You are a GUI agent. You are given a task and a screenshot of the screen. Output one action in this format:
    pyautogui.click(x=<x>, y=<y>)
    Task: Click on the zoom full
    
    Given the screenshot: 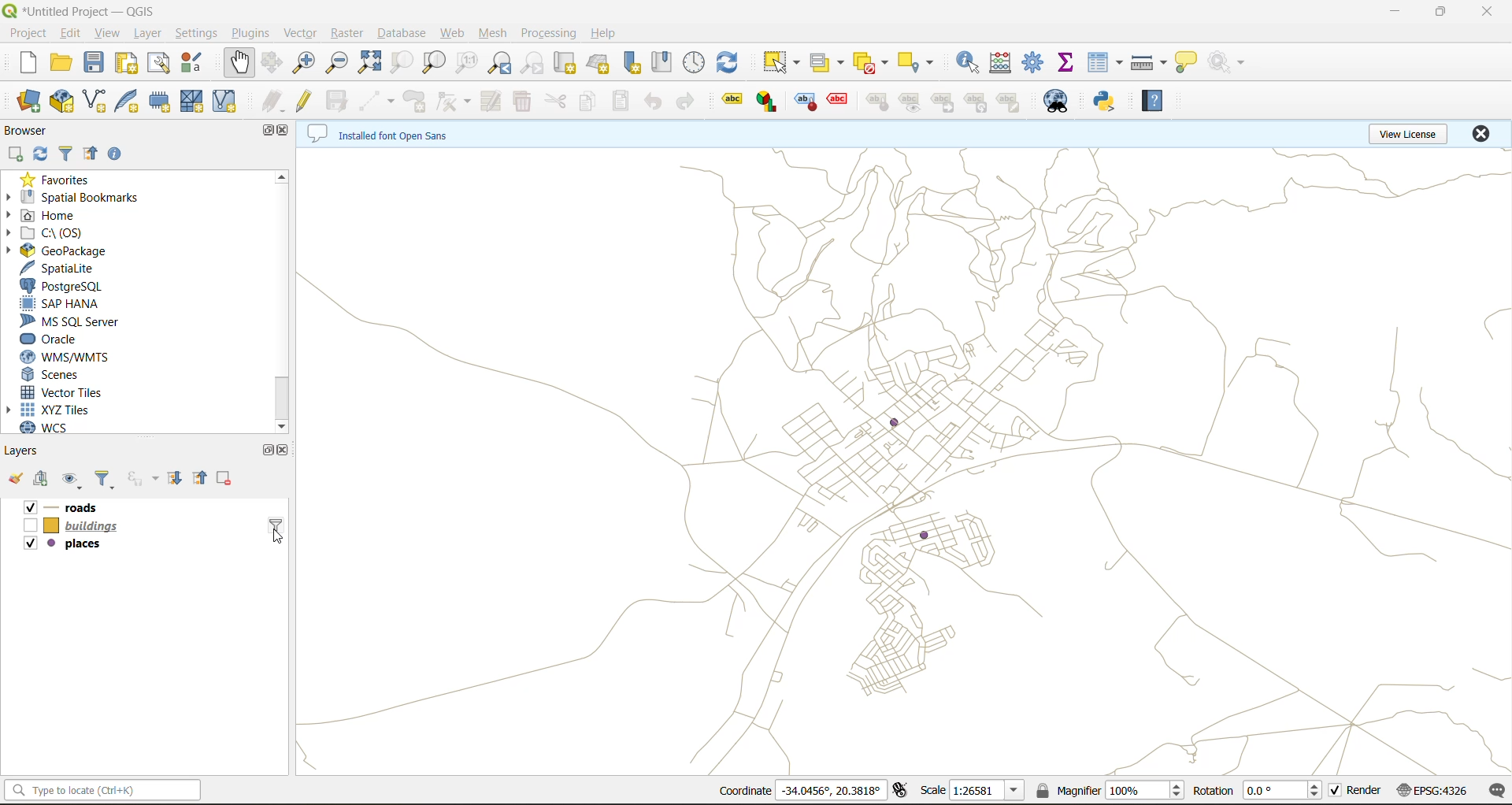 What is the action you would take?
    pyautogui.click(x=369, y=62)
    